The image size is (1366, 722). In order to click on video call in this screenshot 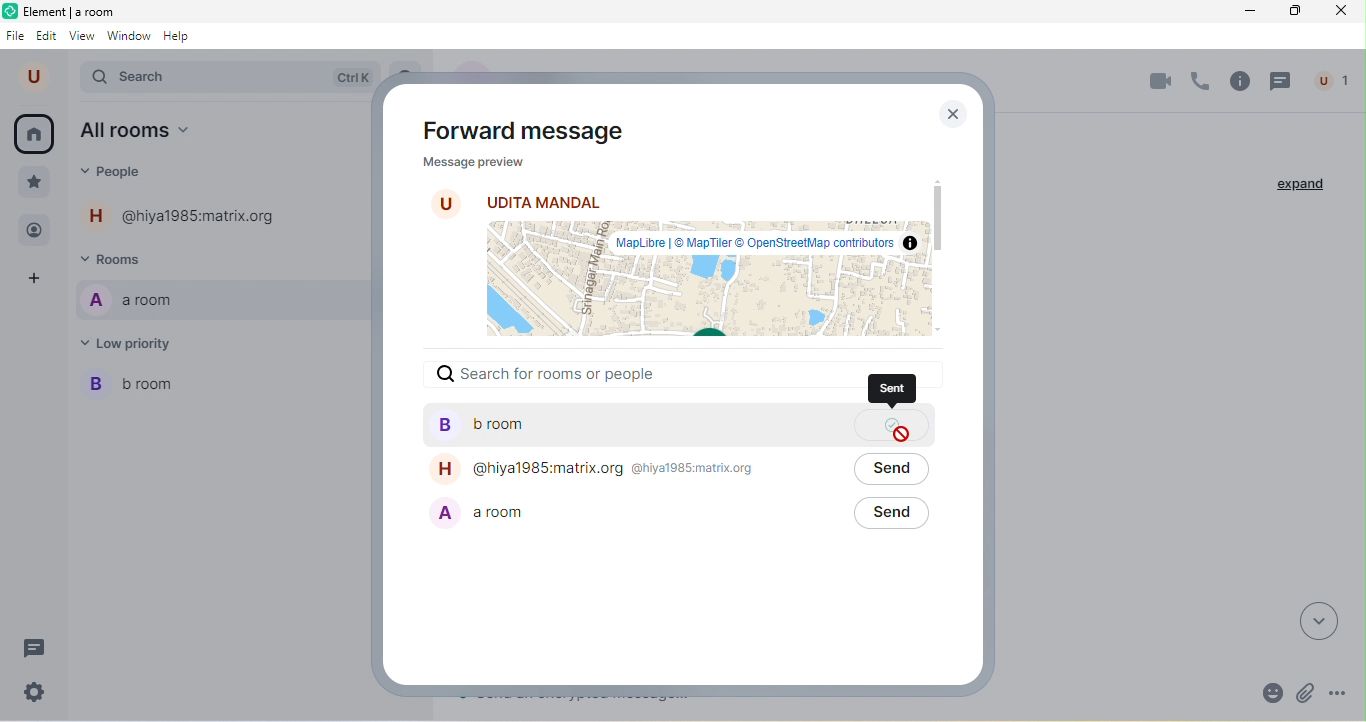, I will do `click(1158, 81)`.